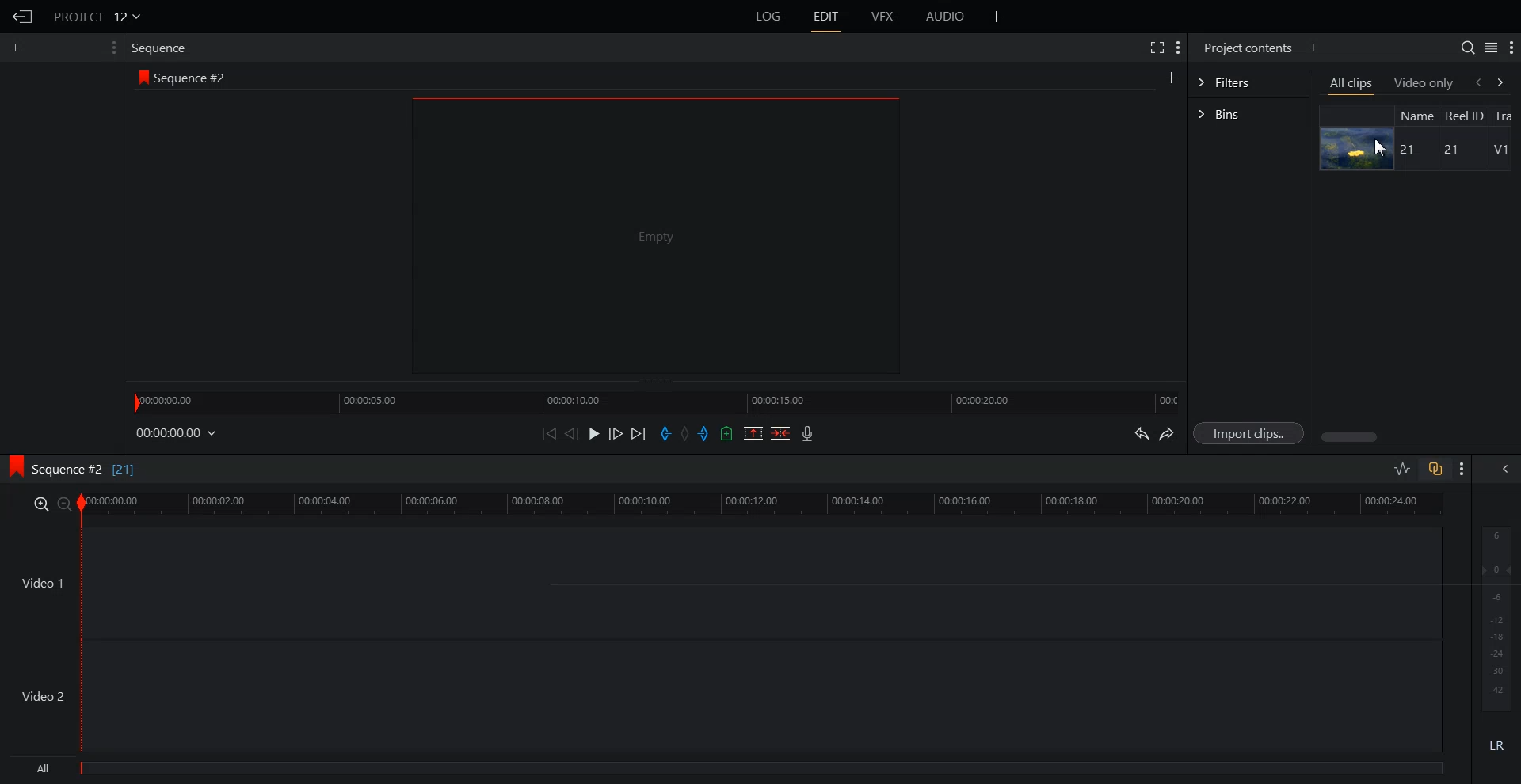 The image size is (1521, 784). I want to click on Filters, so click(1248, 82).